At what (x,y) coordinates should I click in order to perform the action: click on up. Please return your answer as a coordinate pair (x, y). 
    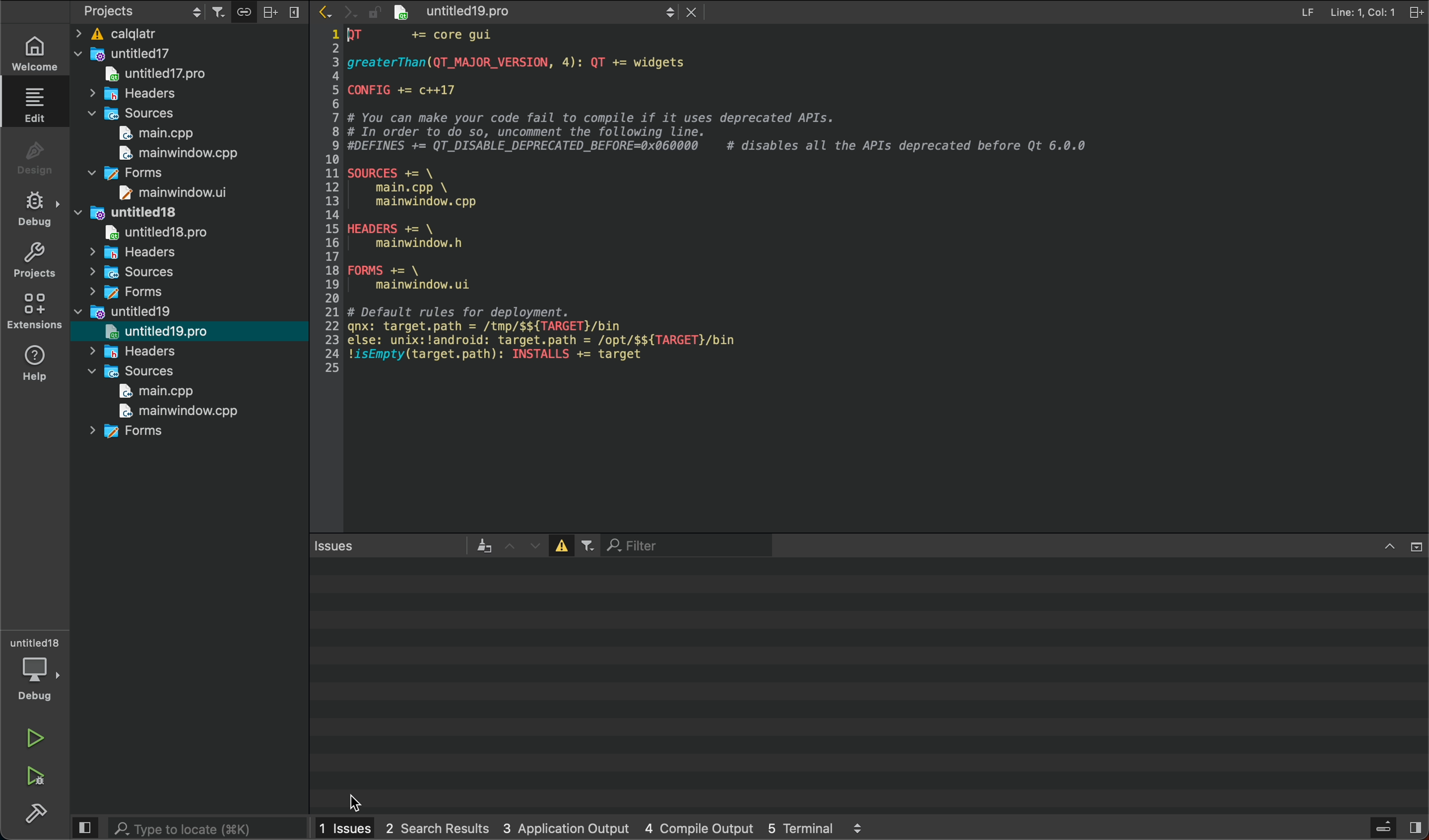
    Looking at the image, I should click on (1383, 545).